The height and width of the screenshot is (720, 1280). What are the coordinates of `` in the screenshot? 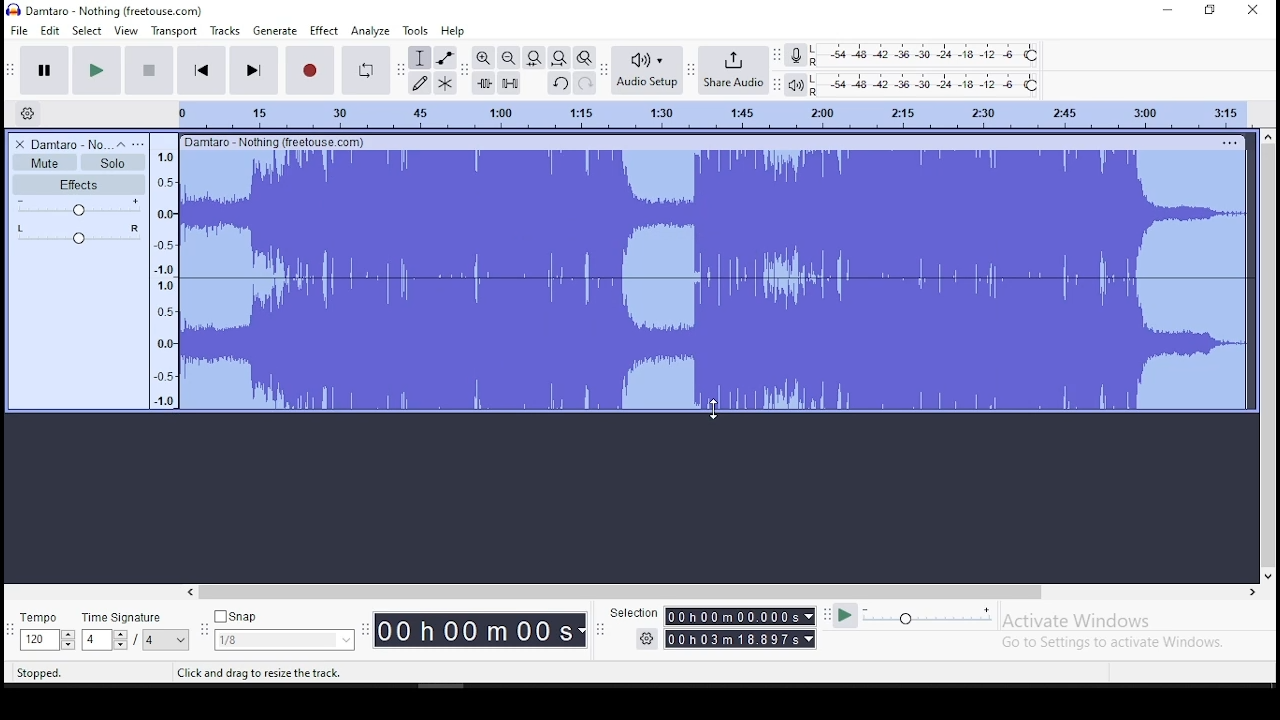 It's located at (273, 141).